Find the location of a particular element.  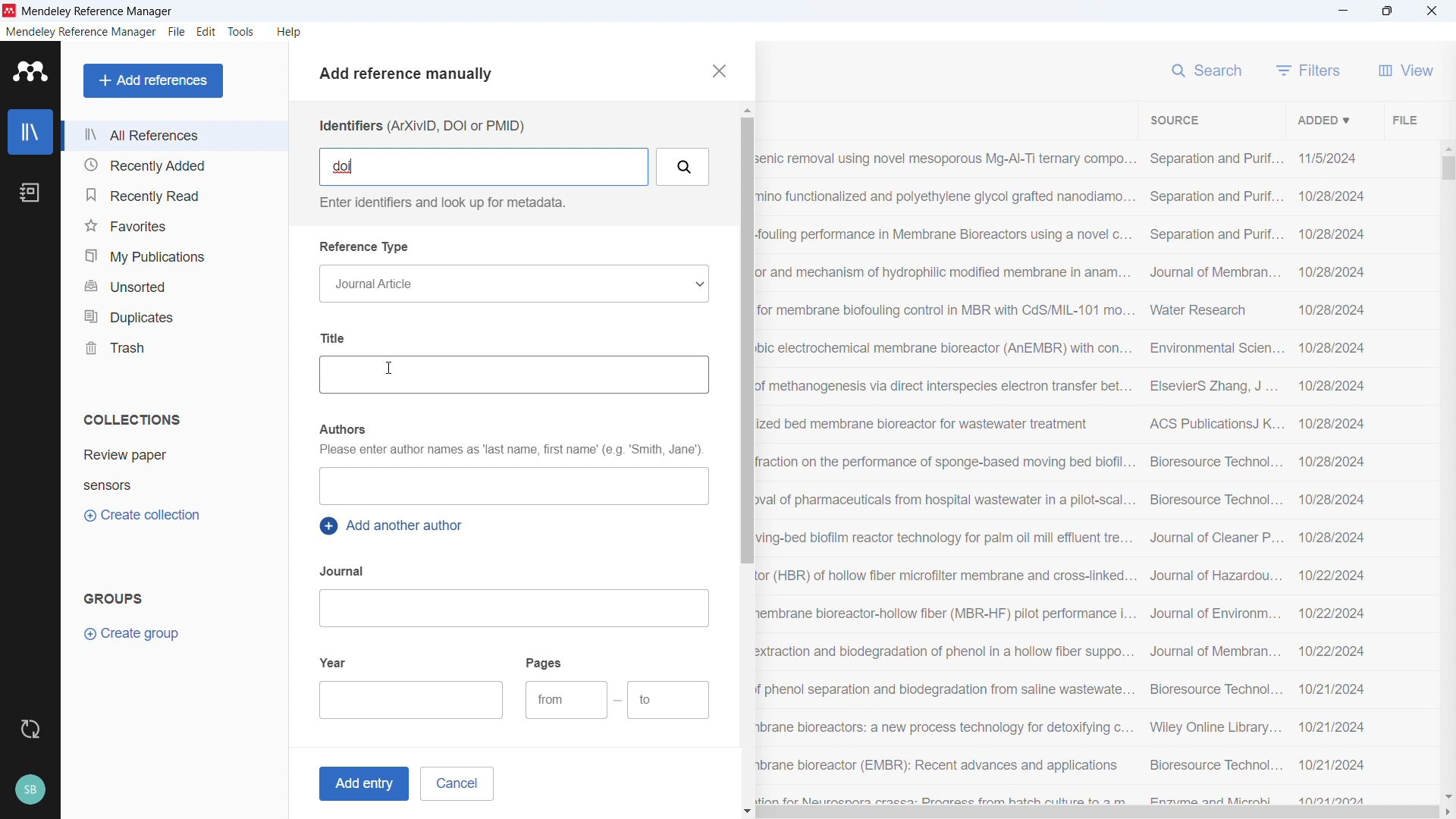

Tools  is located at coordinates (241, 32).